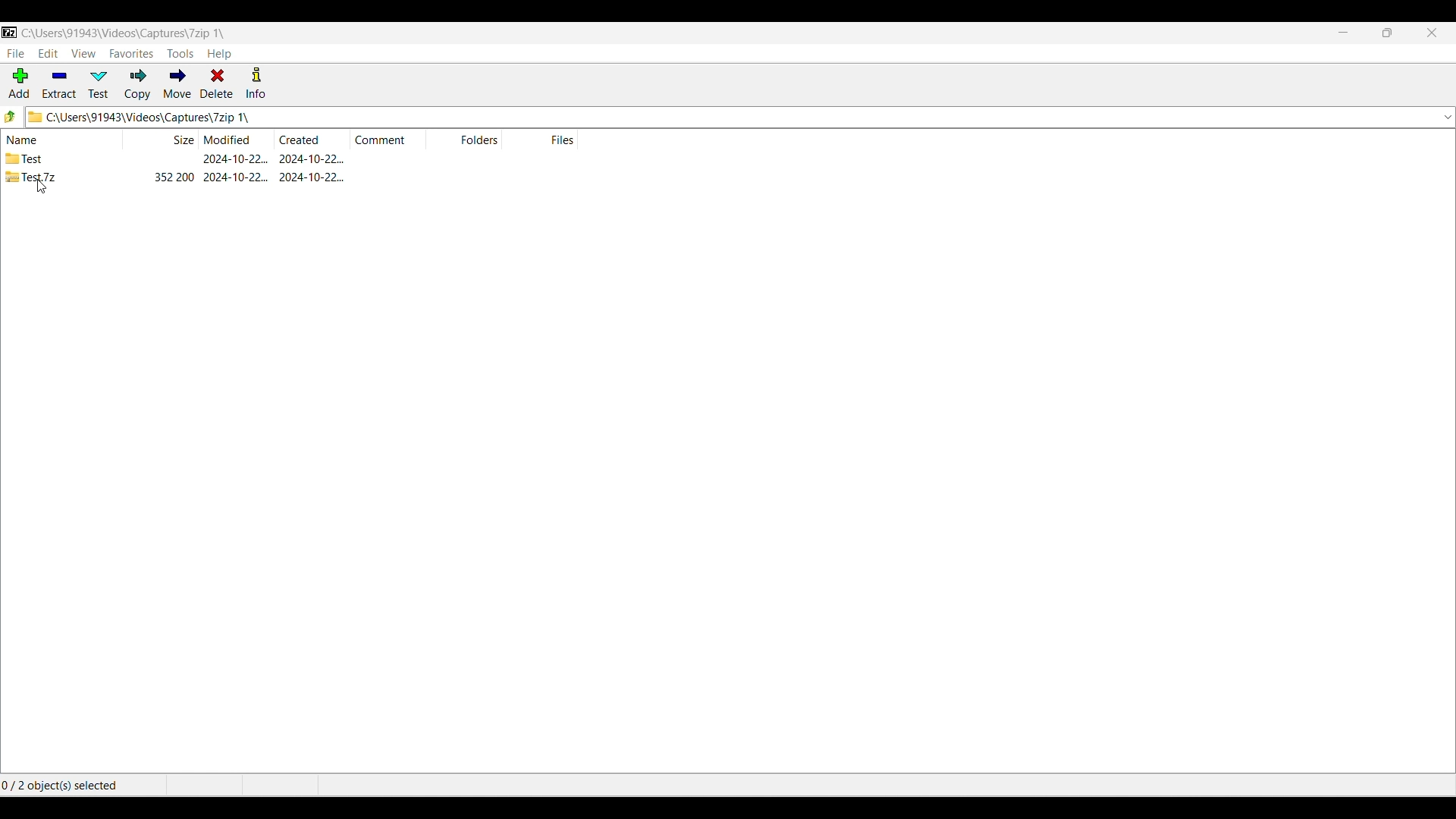 The height and width of the screenshot is (819, 1456). What do you see at coordinates (561, 140) in the screenshot?
I see `Files column` at bounding box center [561, 140].